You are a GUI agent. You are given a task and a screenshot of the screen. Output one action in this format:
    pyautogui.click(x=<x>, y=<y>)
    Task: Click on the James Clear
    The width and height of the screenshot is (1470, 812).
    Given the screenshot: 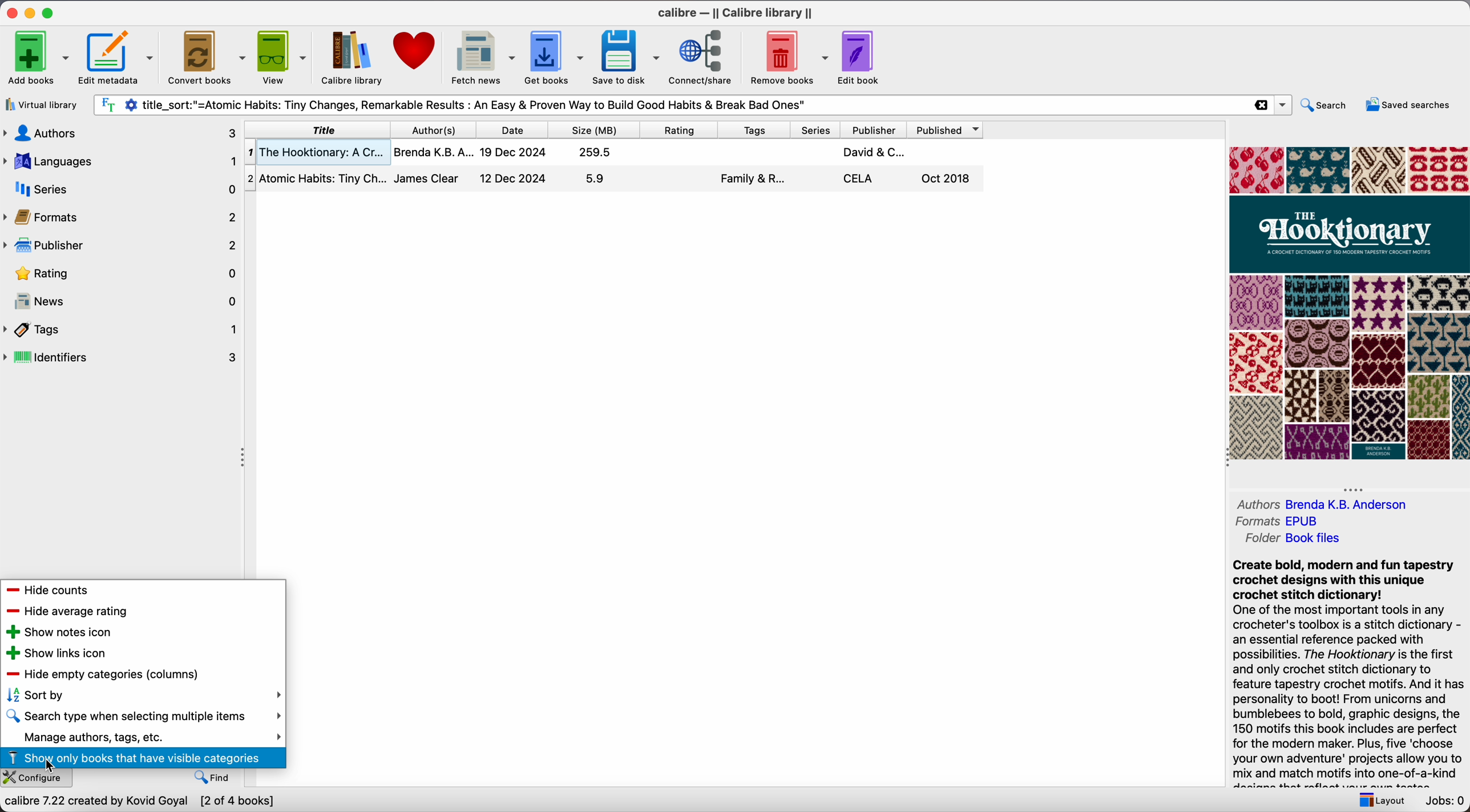 What is the action you would take?
    pyautogui.click(x=425, y=177)
    